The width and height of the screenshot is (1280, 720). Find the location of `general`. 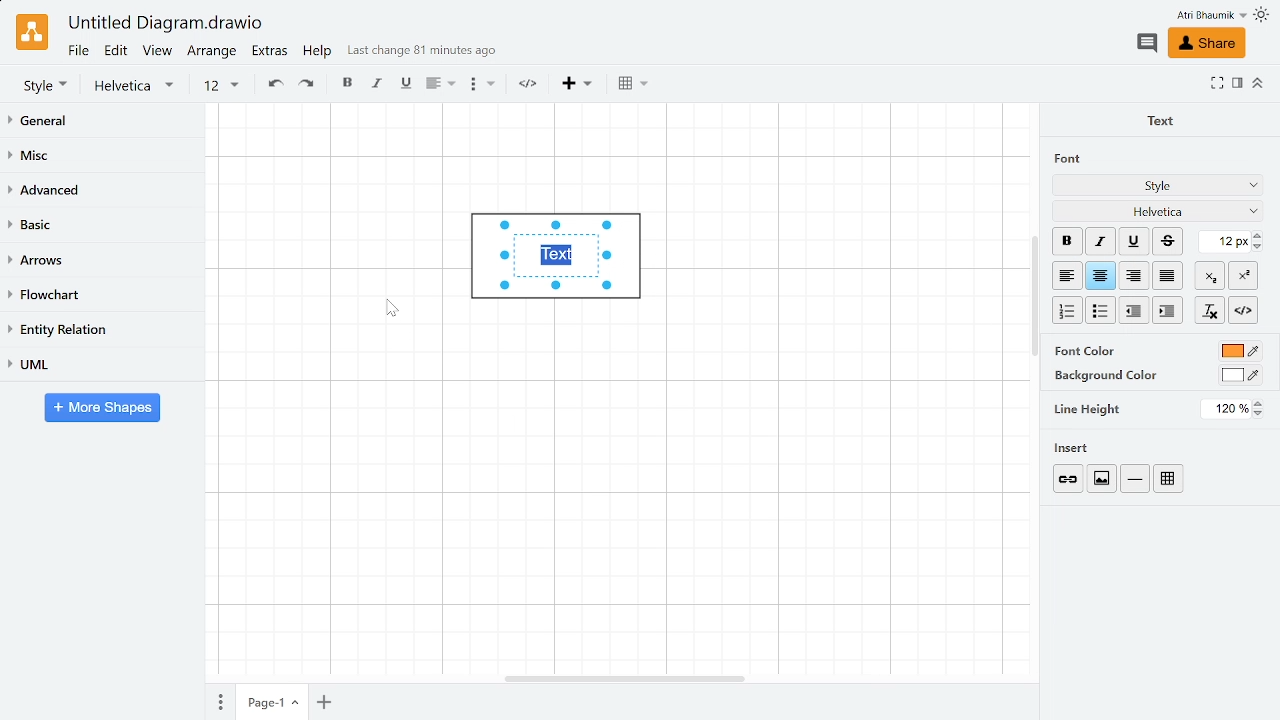

general is located at coordinates (104, 122).